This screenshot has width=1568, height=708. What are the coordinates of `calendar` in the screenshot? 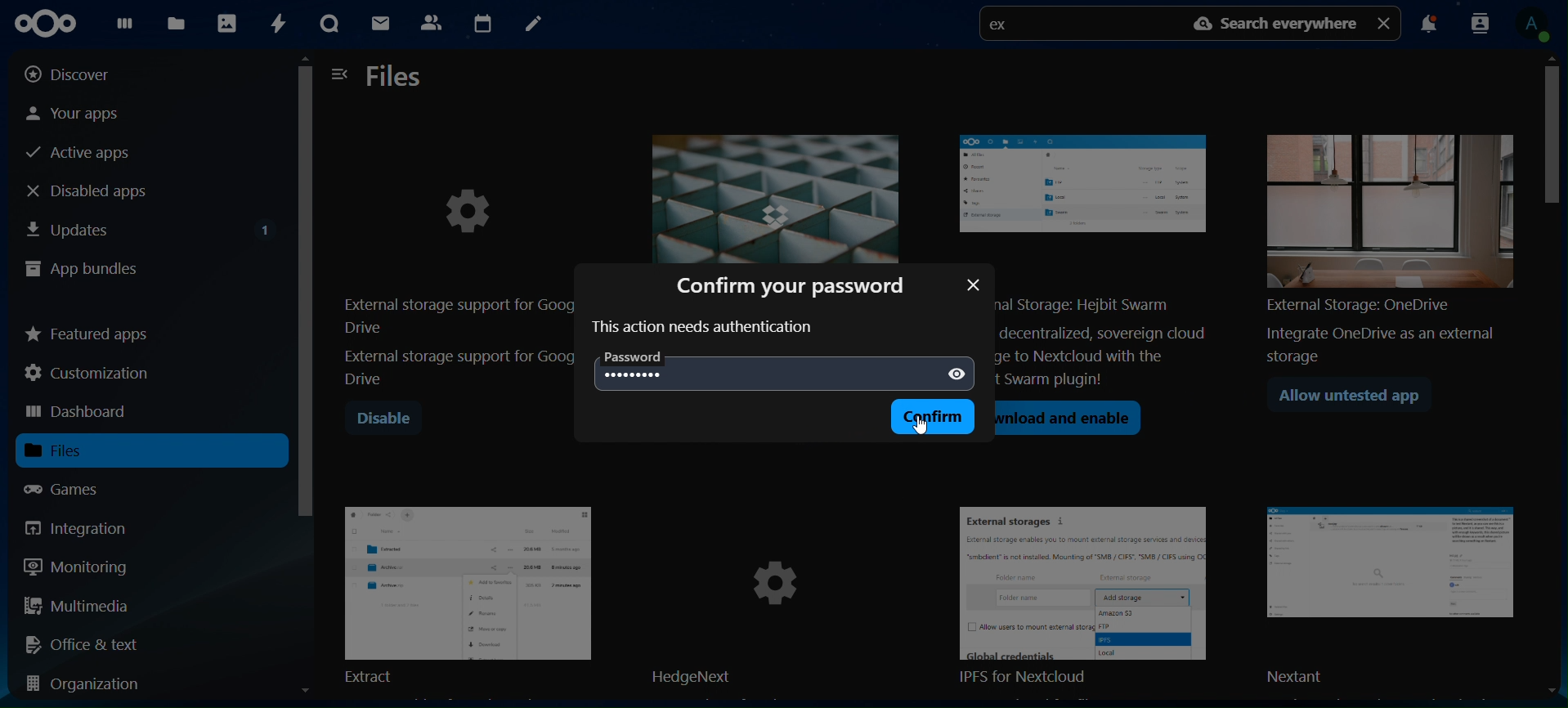 It's located at (482, 21).